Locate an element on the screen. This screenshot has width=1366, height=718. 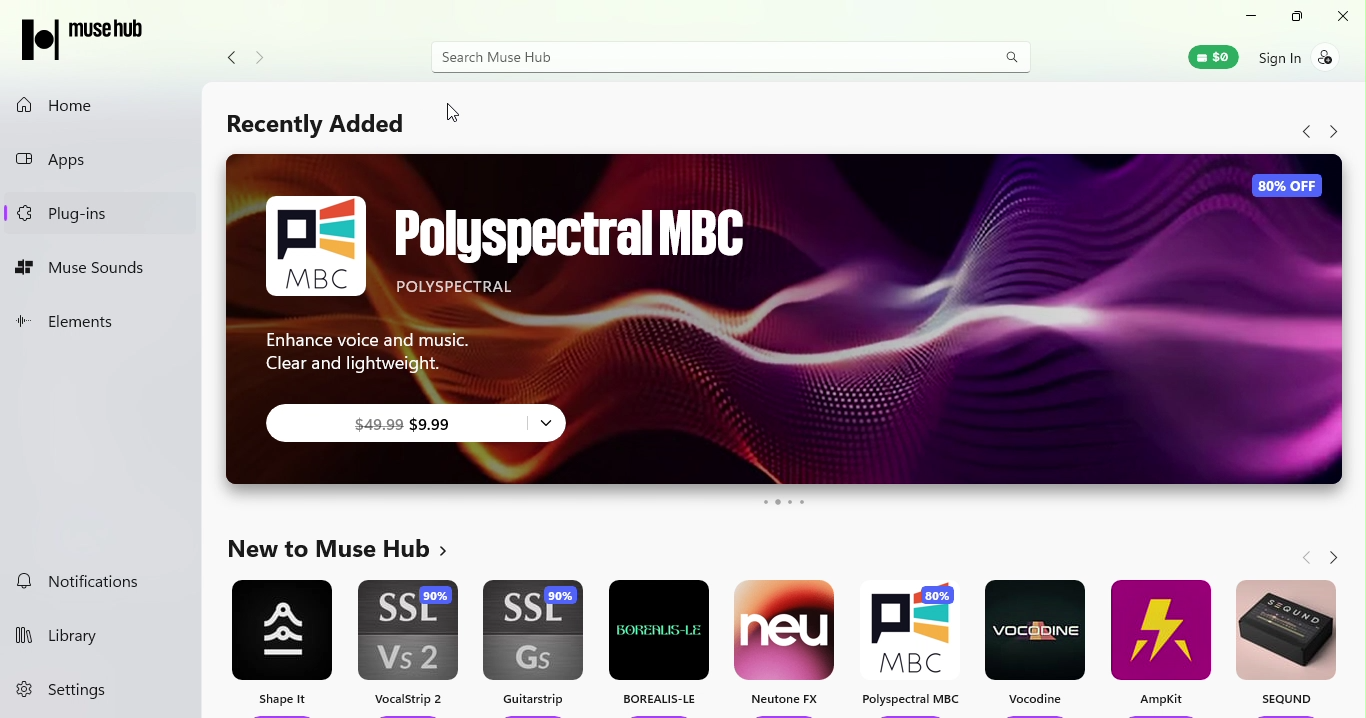
VocalStrip 2 is located at coordinates (413, 649).